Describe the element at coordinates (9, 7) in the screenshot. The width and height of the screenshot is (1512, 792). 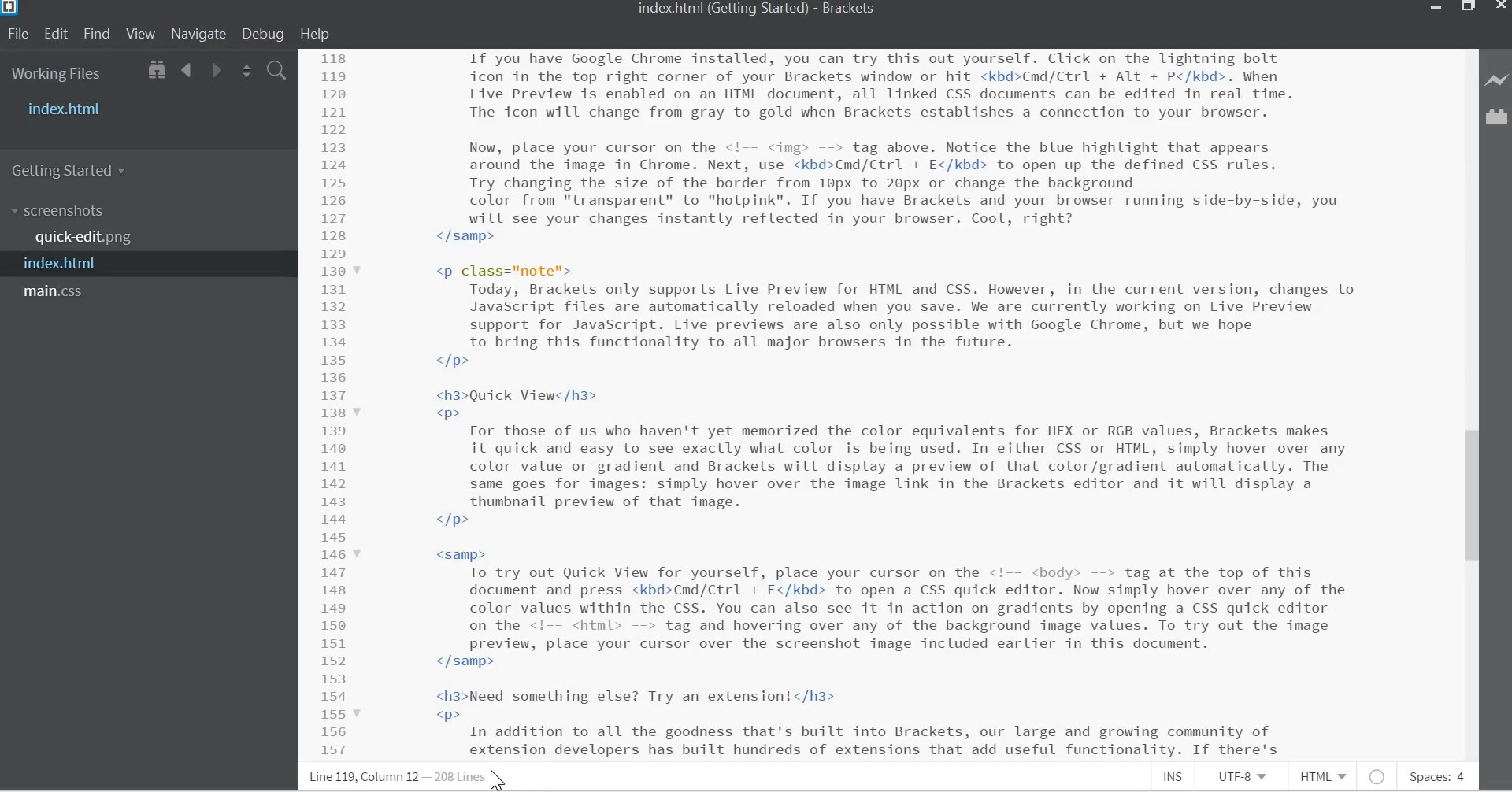
I see `Bracket Desktop Icon` at that location.